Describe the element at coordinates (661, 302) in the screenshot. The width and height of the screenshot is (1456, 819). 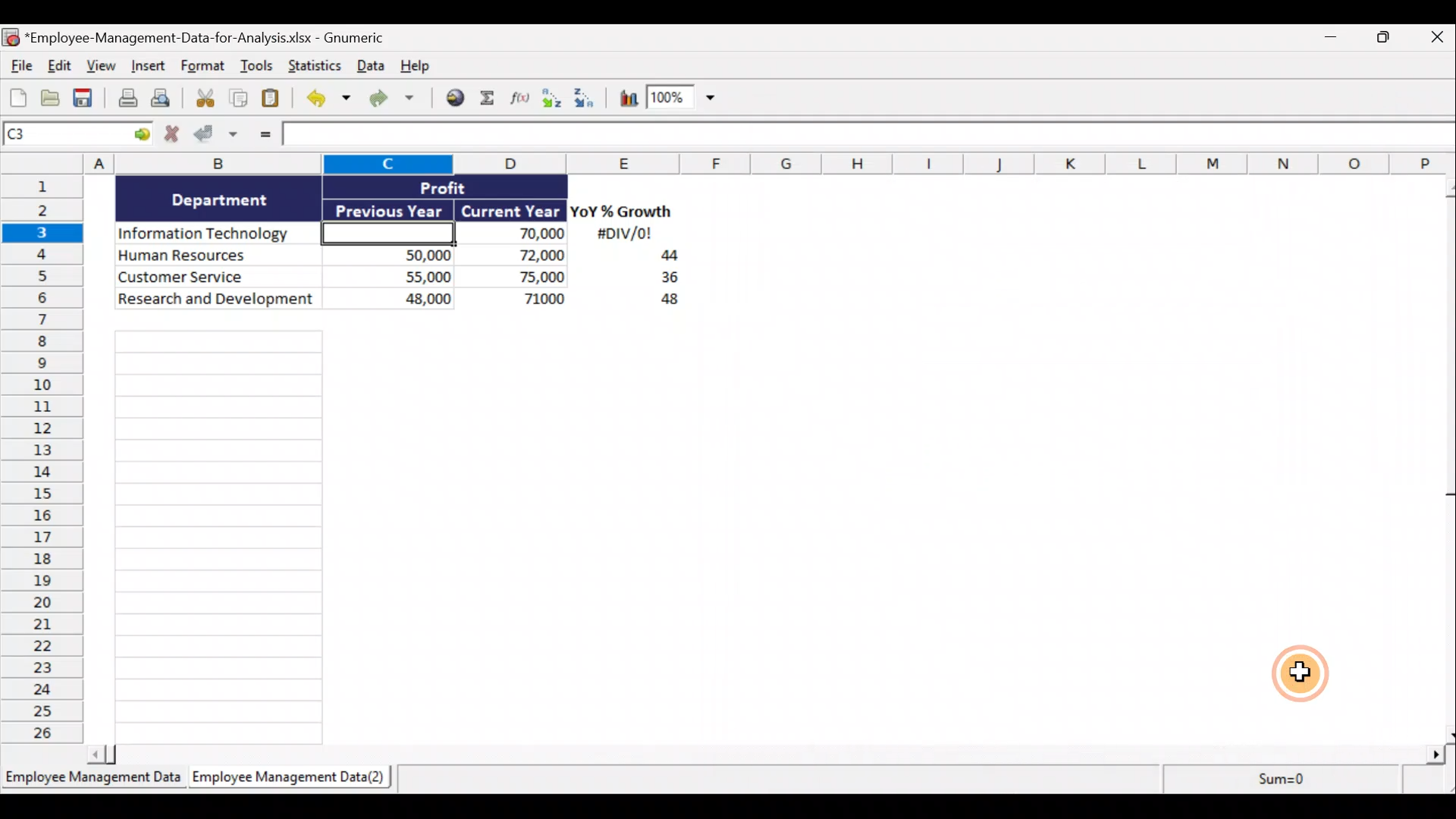
I see `48` at that location.